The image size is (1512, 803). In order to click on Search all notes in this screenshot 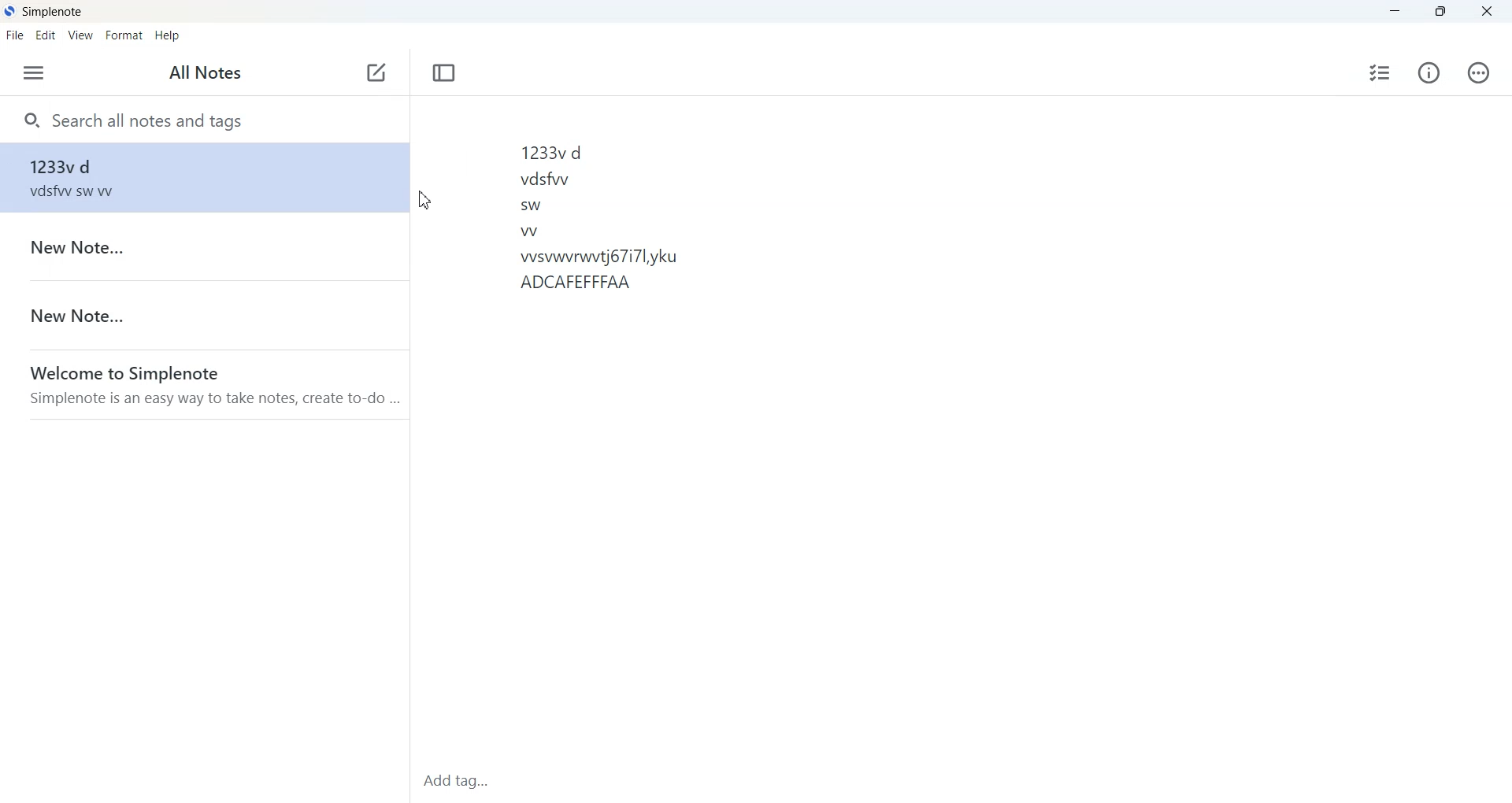, I will do `click(202, 120)`.